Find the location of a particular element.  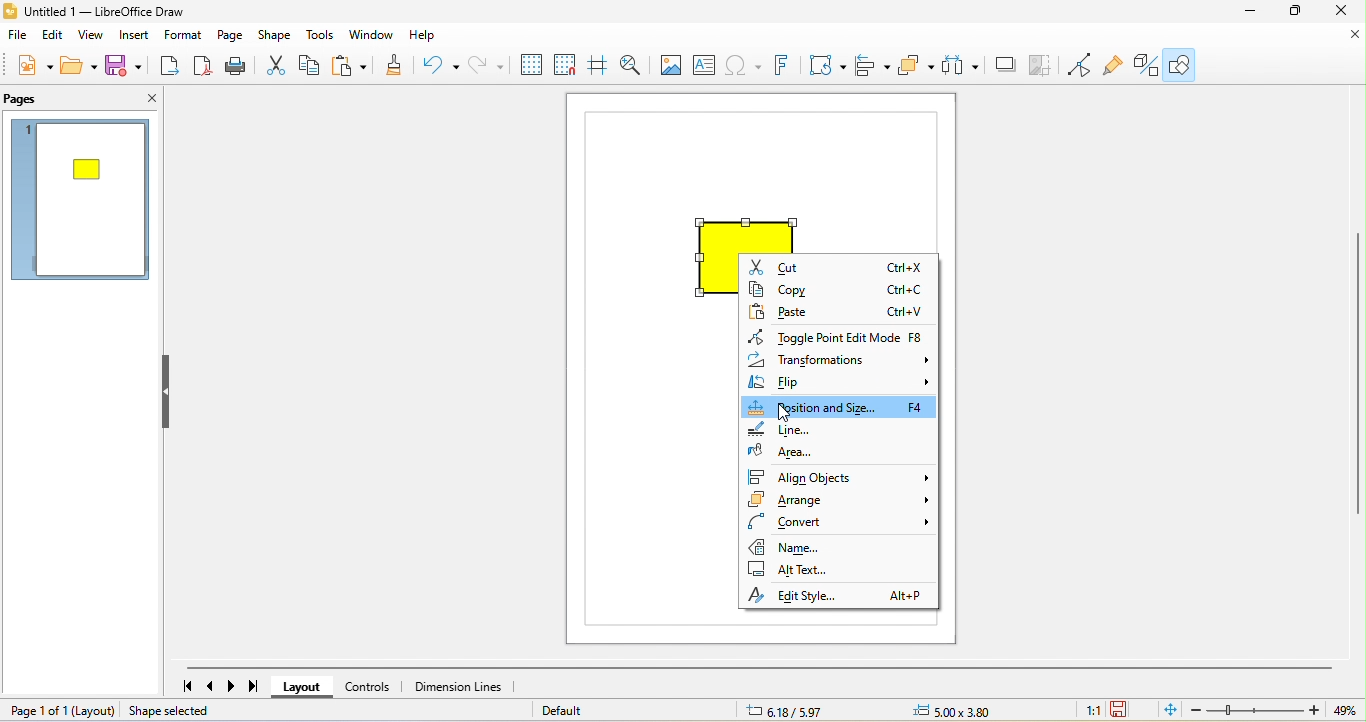

8.29/7.64 is located at coordinates (816, 710).